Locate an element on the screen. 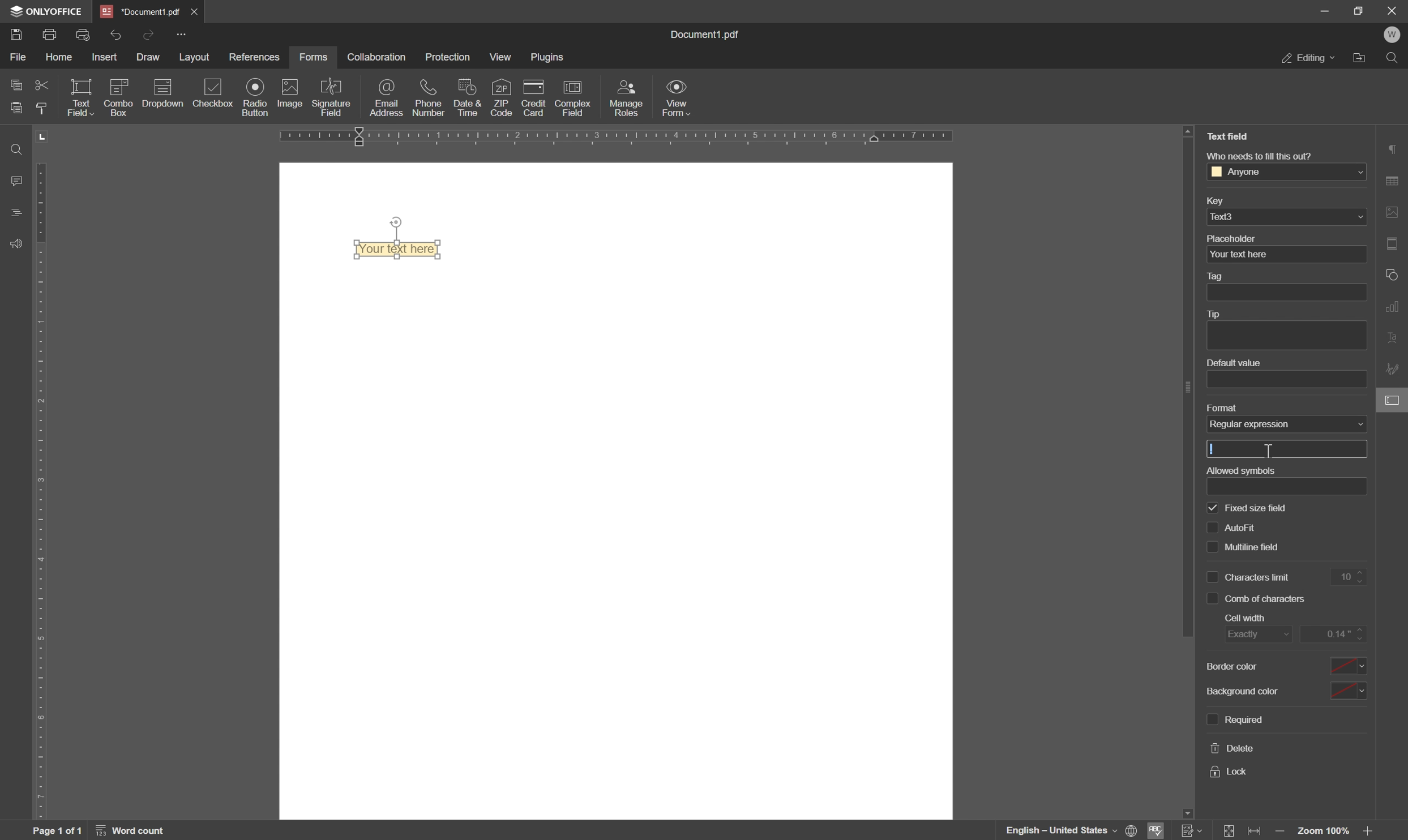 The width and height of the screenshot is (1408, 840). radio button is located at coordinates (253, 97).